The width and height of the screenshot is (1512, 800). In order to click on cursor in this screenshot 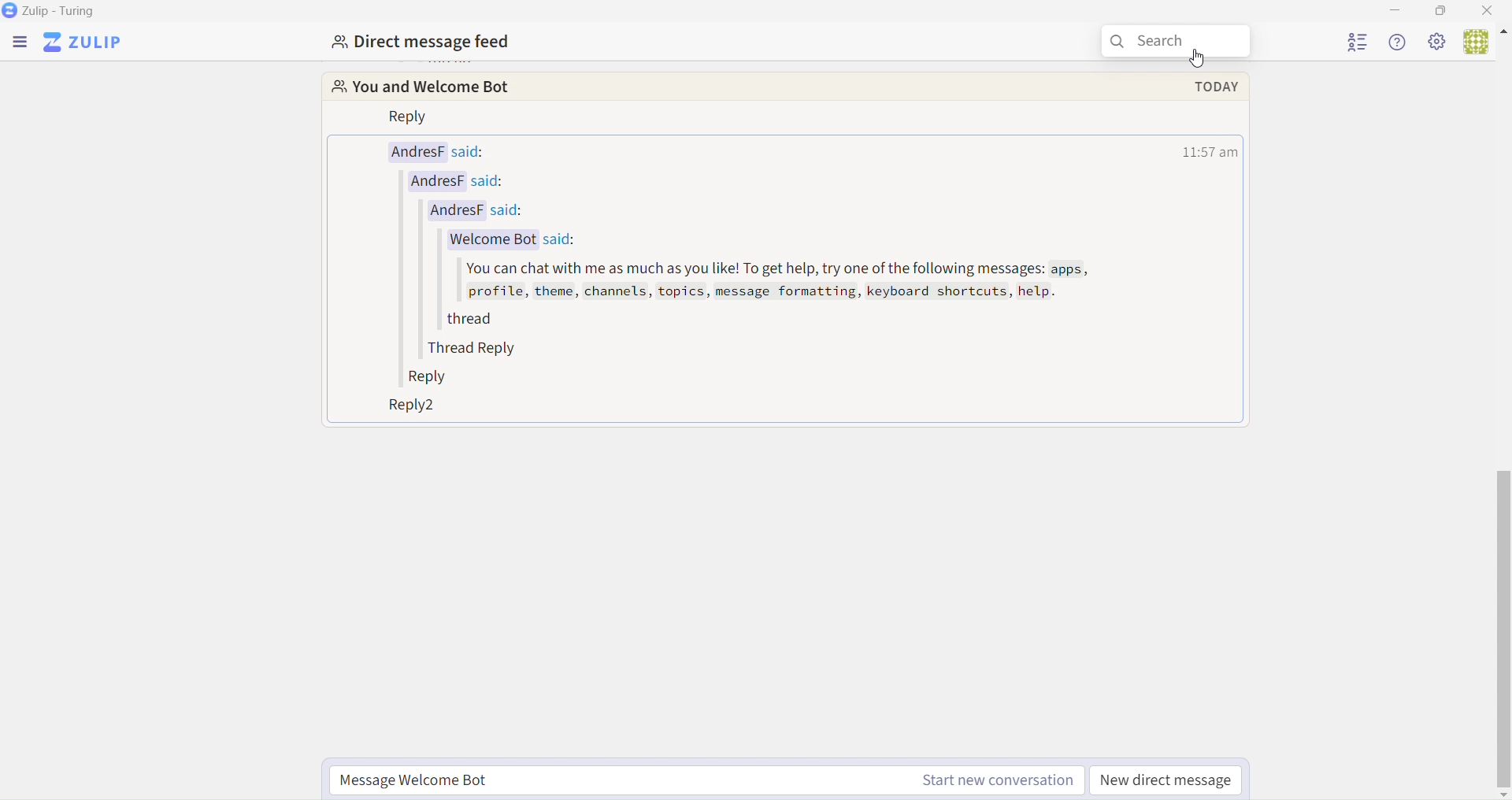, I will do `click(1201, 62)`.